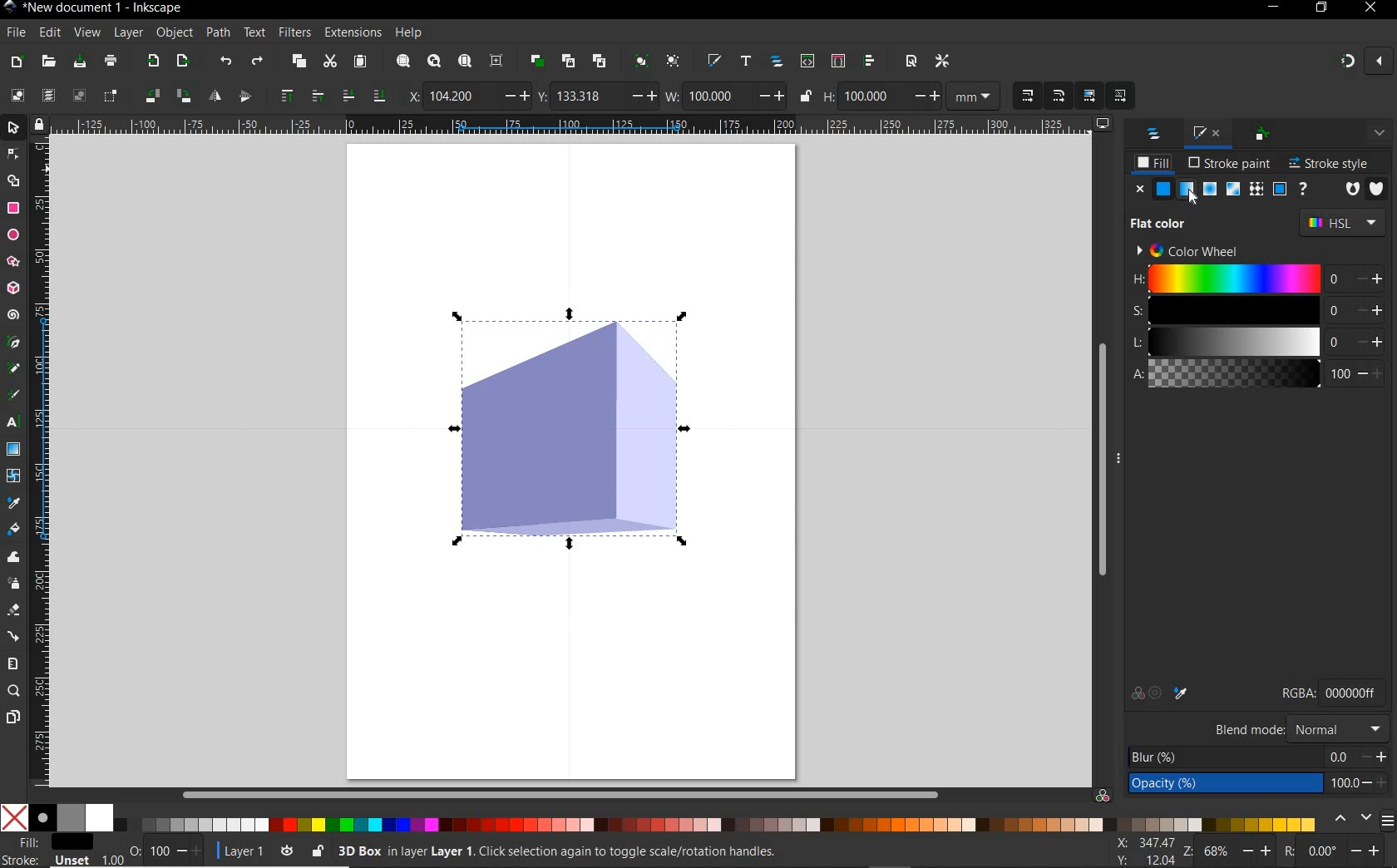  I want to click on PAINT STYLES, so click(1221, 190).